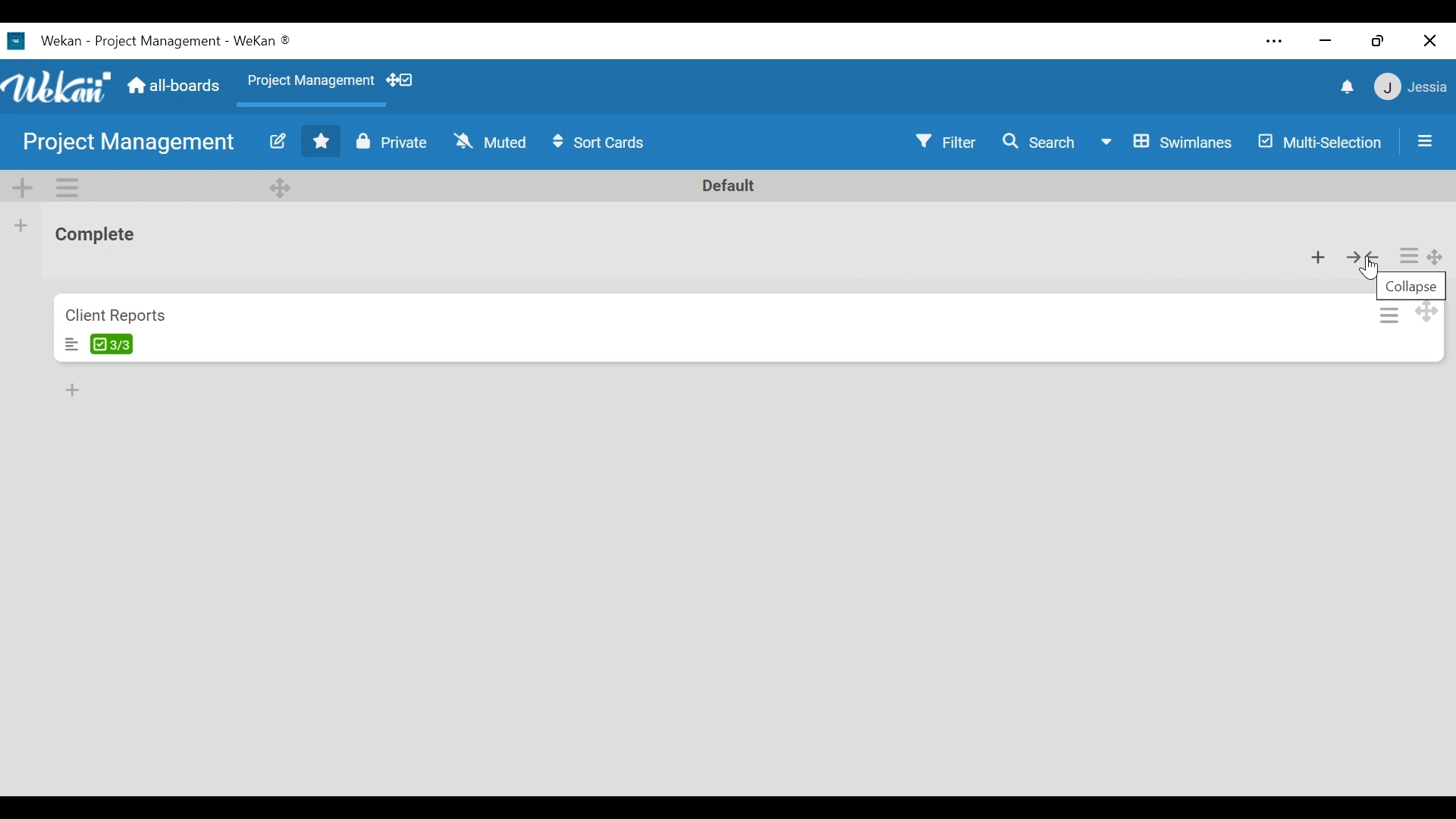 This screenshot has height=819, width=1456. What do you see at coordinates (1319, 256) in the screenshot?
I see `Add Card to top of the list` at bounding box center [1319, 256].